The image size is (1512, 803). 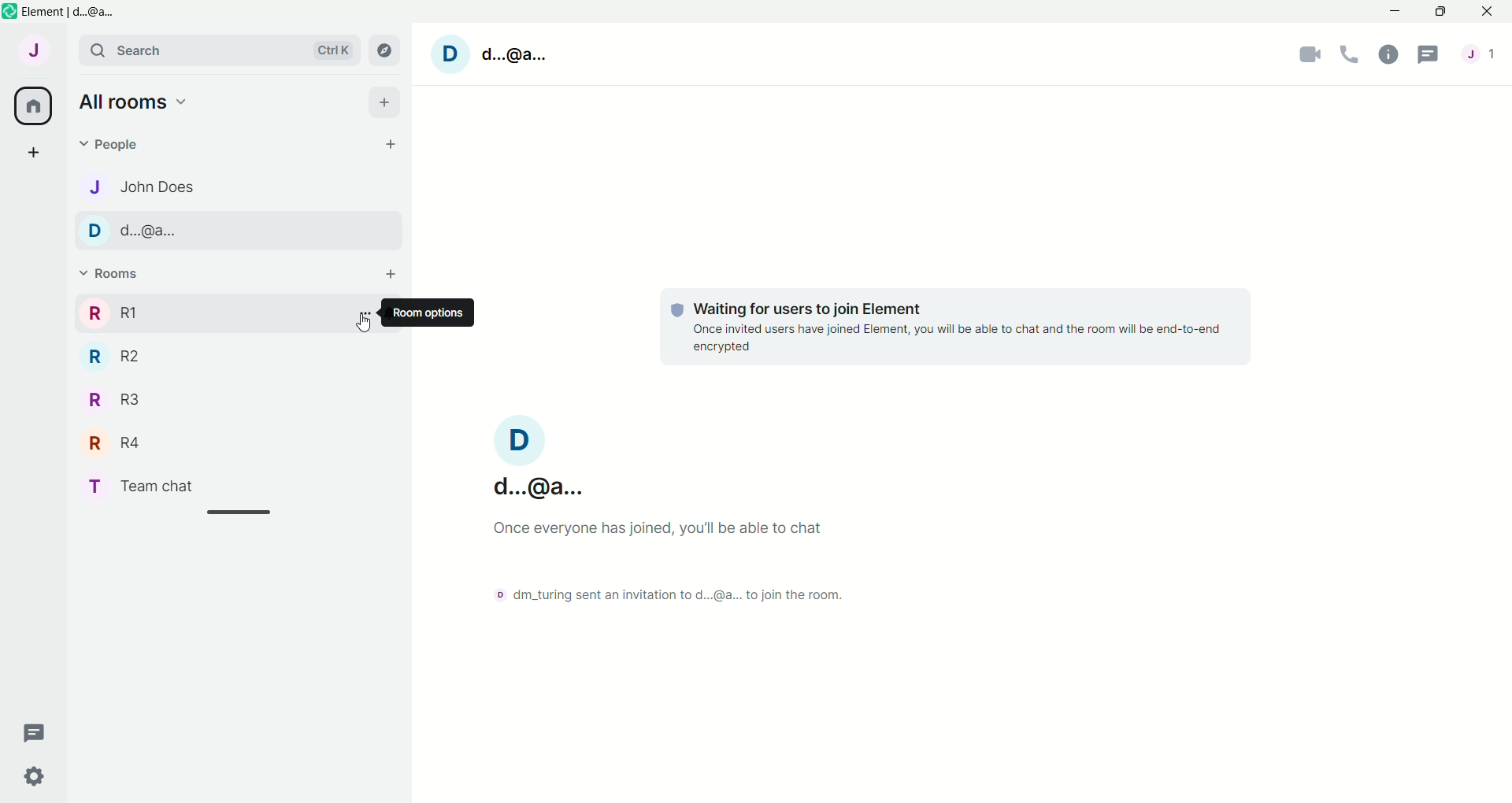 What do you see at coordinates (156, 231) in the screenshot?
I see `D d.@a..` at bounding box center [156, 231].